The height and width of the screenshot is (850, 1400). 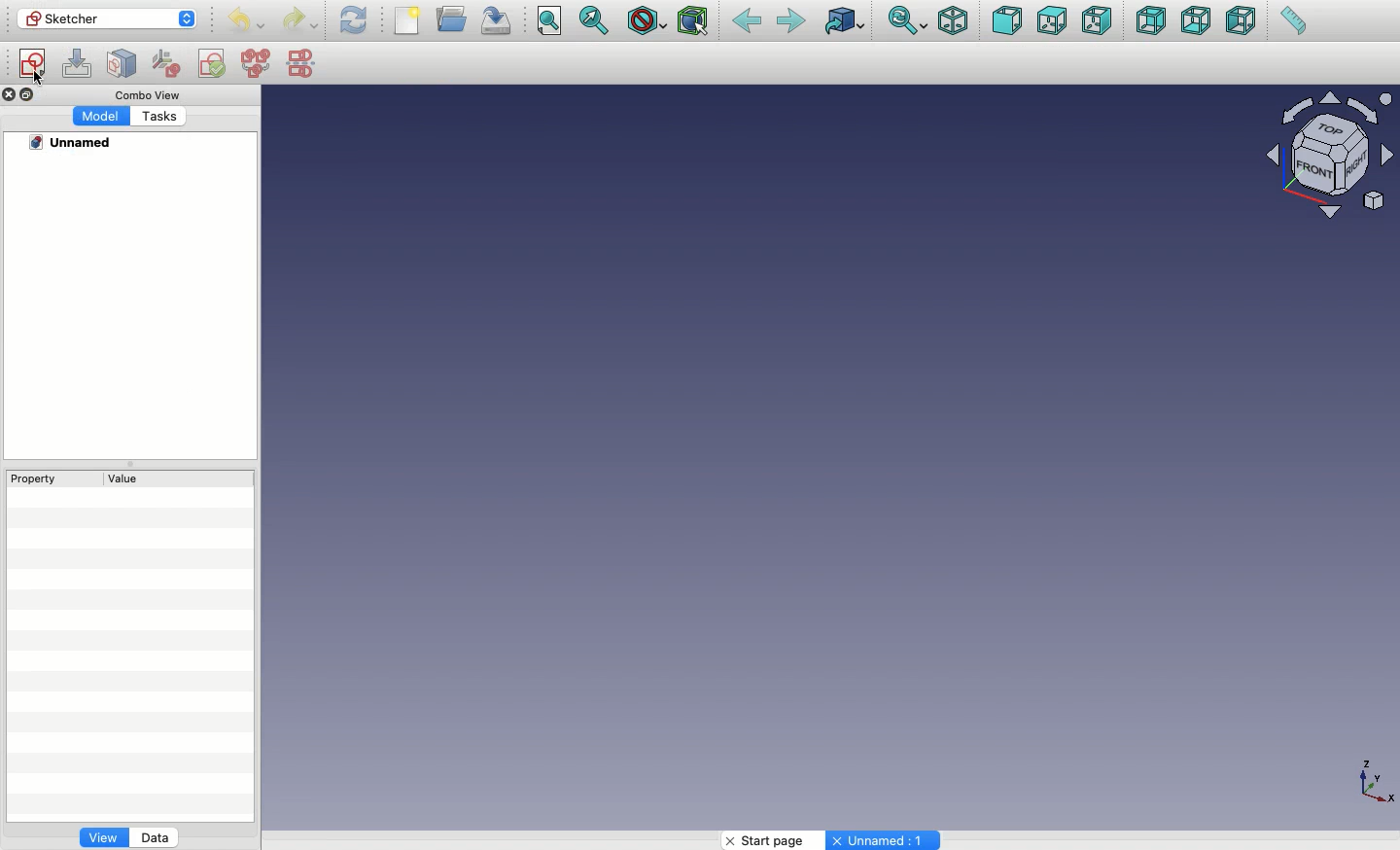 What do you see at coordinates (844, 20) in the screenshot?
I see `Go to linked object` at bounding box center [844, 20].